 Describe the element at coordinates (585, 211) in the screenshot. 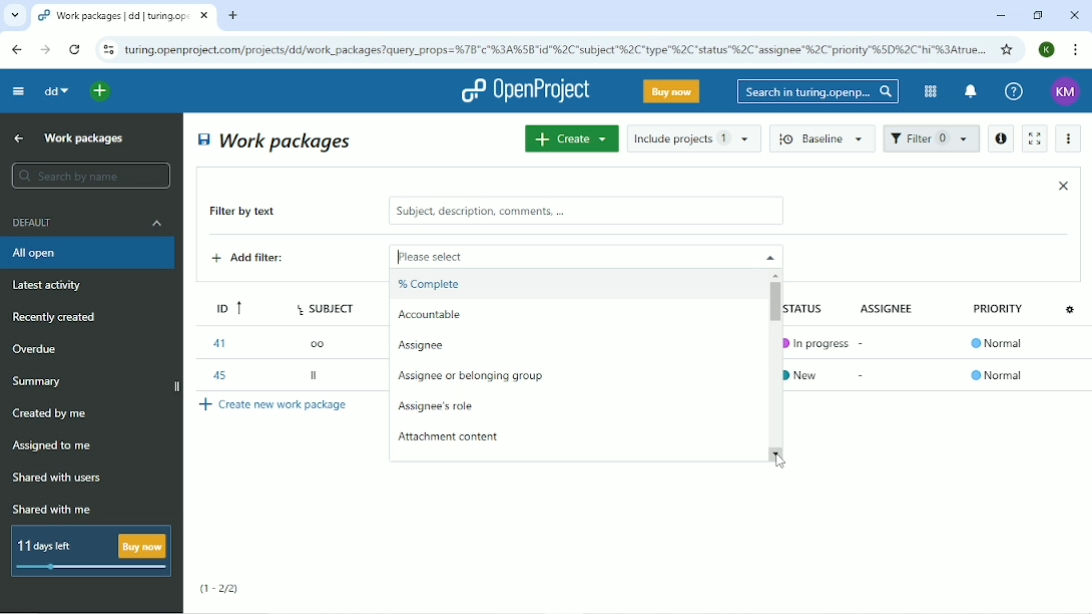

I see `subject, description, comments` at that location.